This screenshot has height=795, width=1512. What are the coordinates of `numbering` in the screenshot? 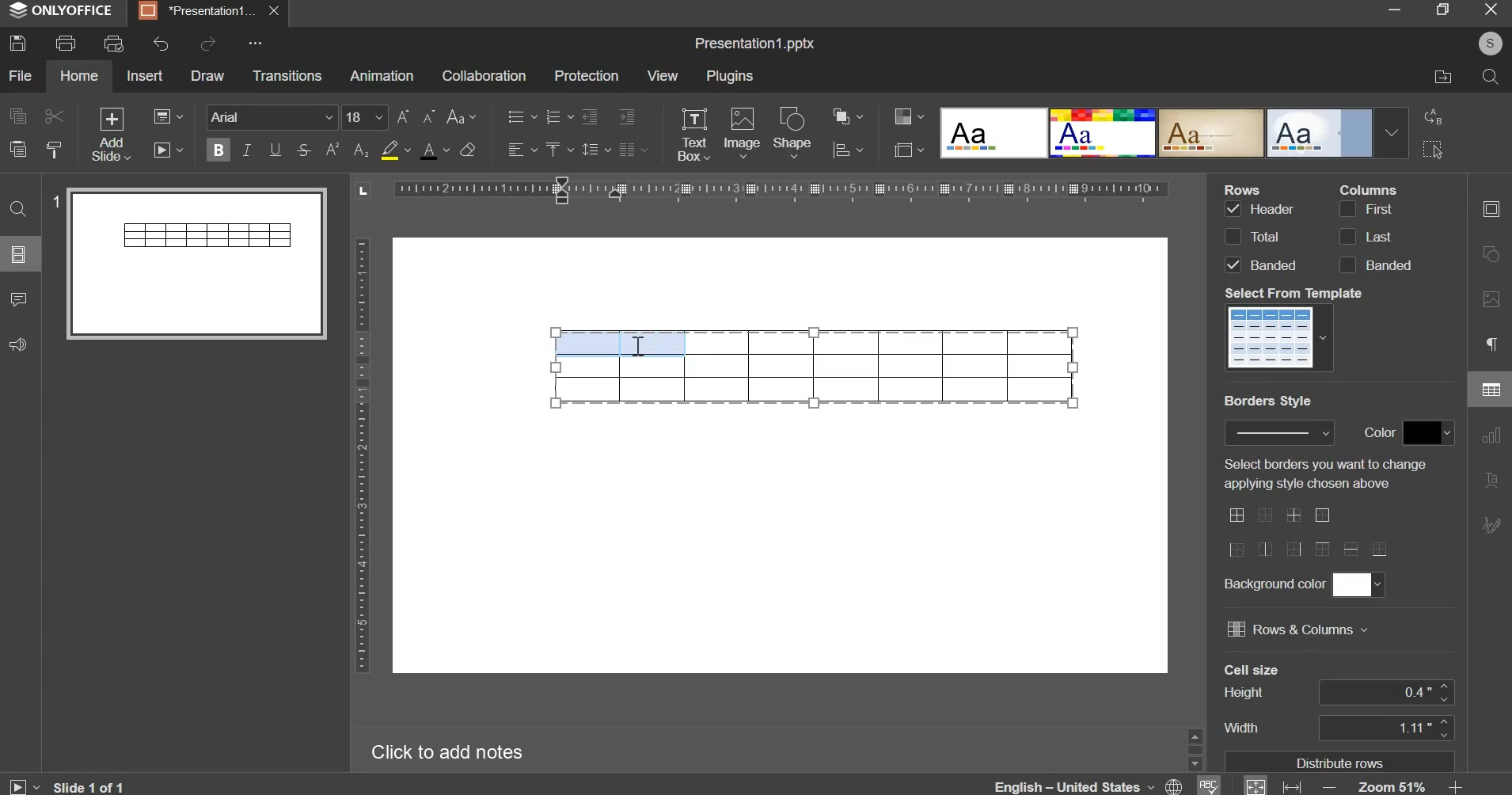 It's located at (557, 117).